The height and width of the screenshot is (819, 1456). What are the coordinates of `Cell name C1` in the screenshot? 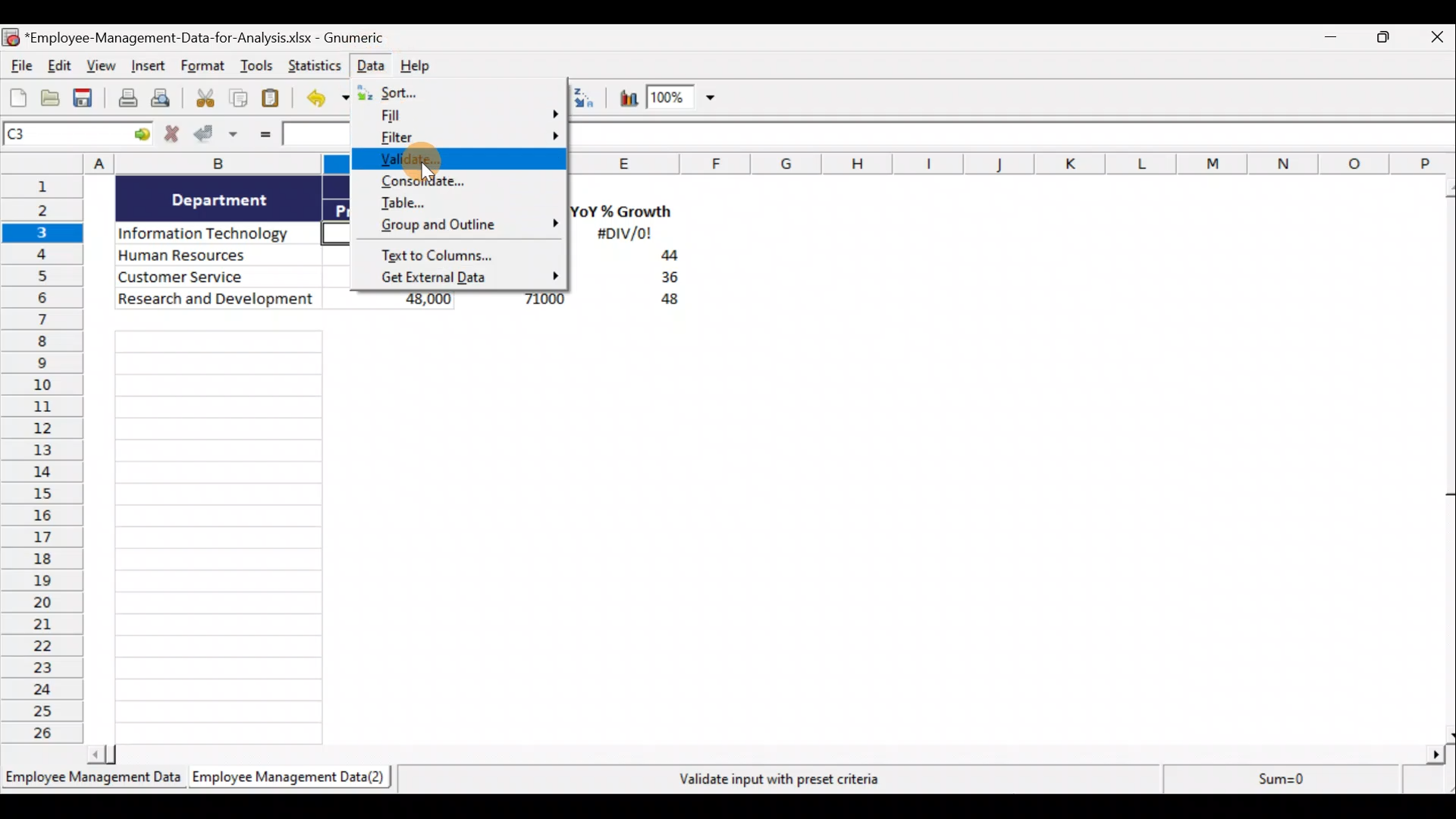 It's located at (64, 136).